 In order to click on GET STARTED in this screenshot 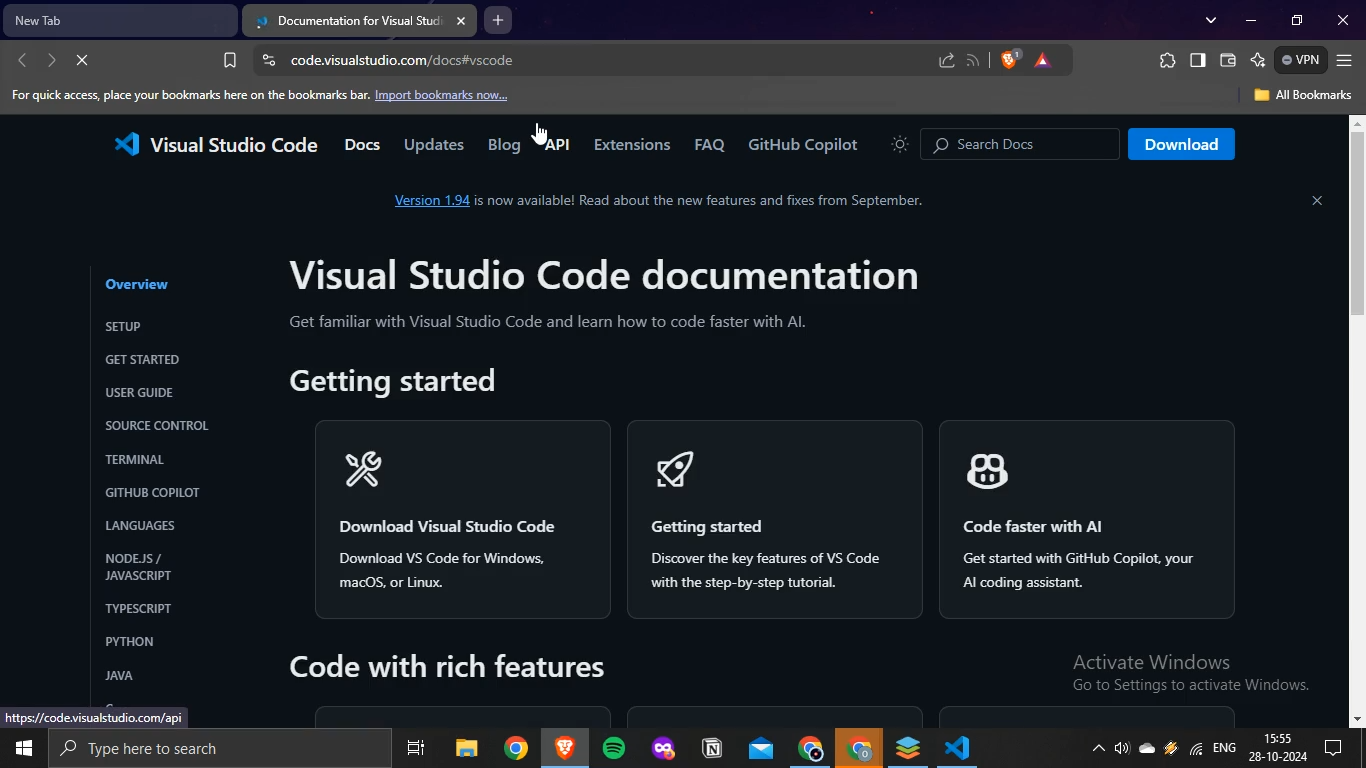, I will do `click(138, 358)`.